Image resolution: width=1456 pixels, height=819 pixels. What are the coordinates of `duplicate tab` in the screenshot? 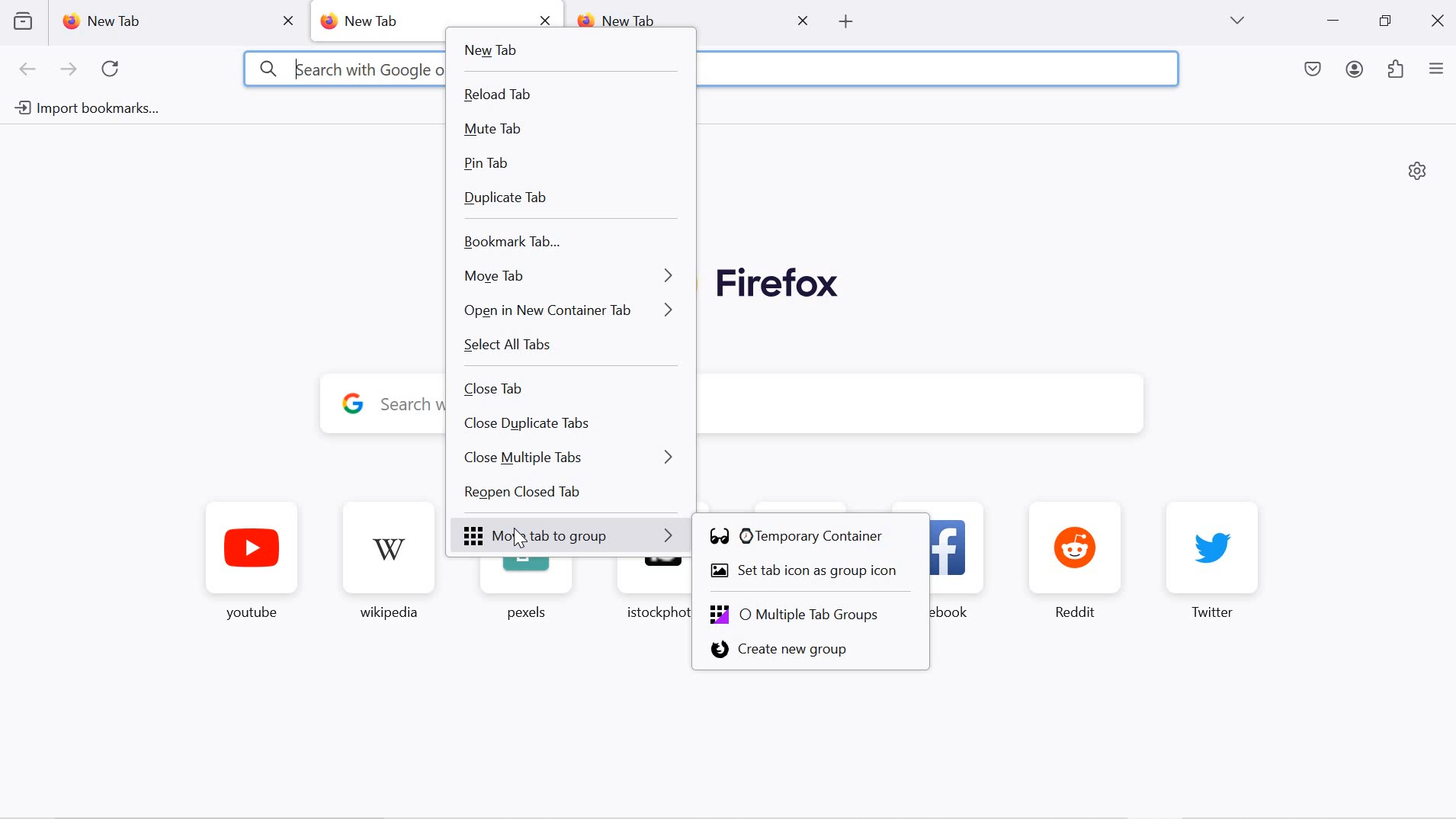 It's located at (575, 203).